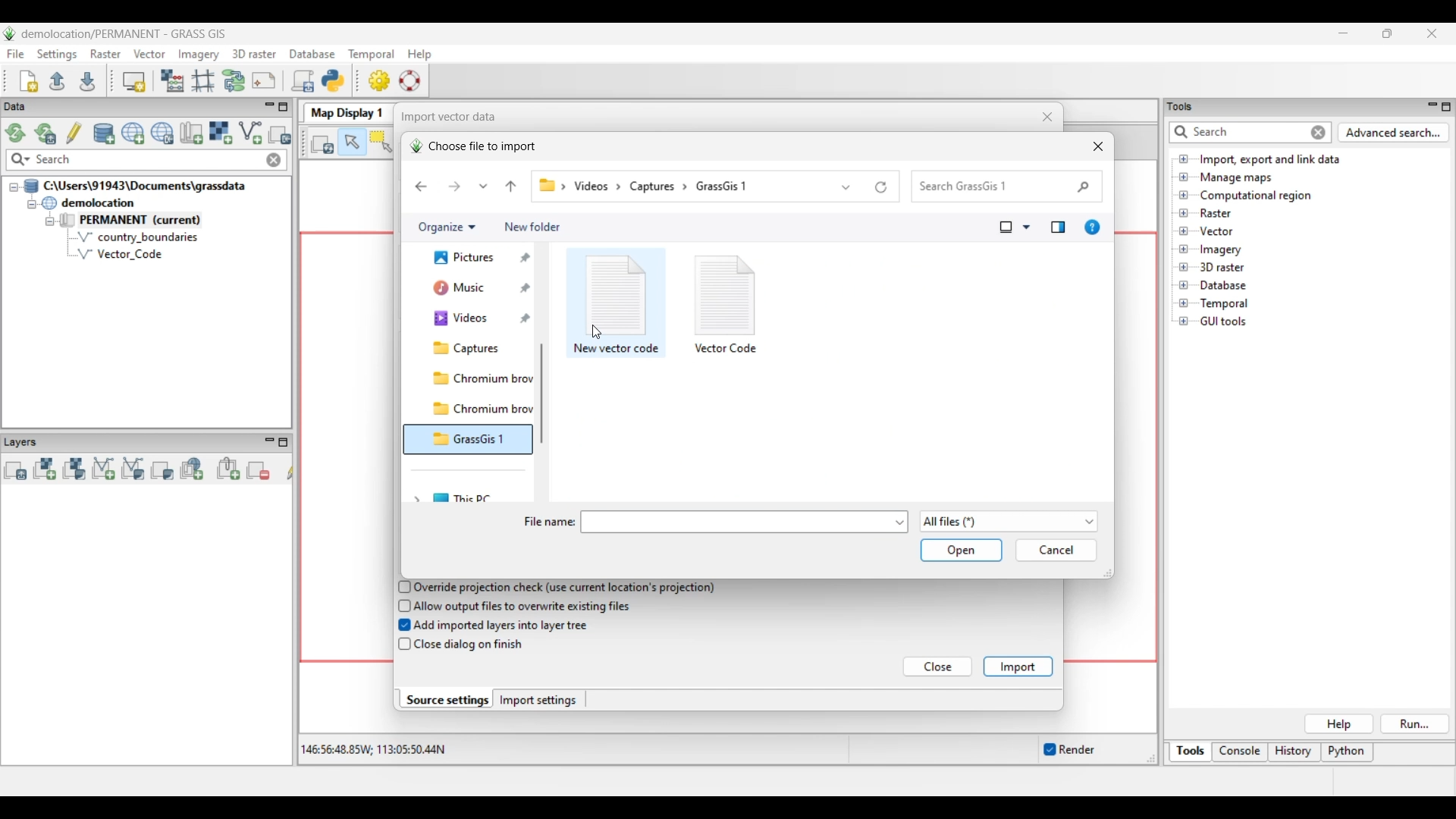  What do you see at coordinates (400, 626) in the screenshot?
I see `checkbox` at bounding box center [400, 626].